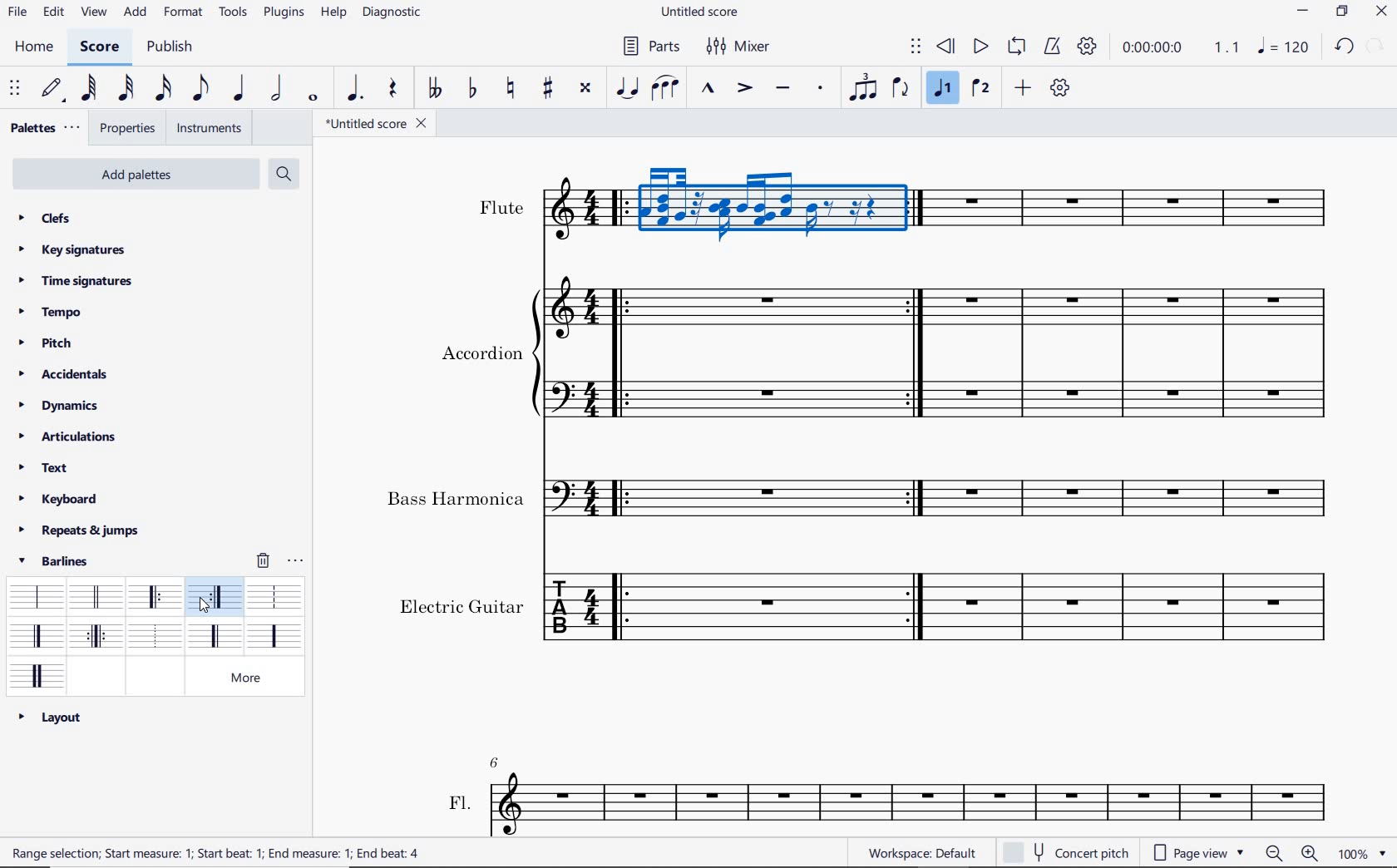 This screenshot has height=868, width=1397. I want to click on Instrument: Bass Harmonica, so click(574, 494).